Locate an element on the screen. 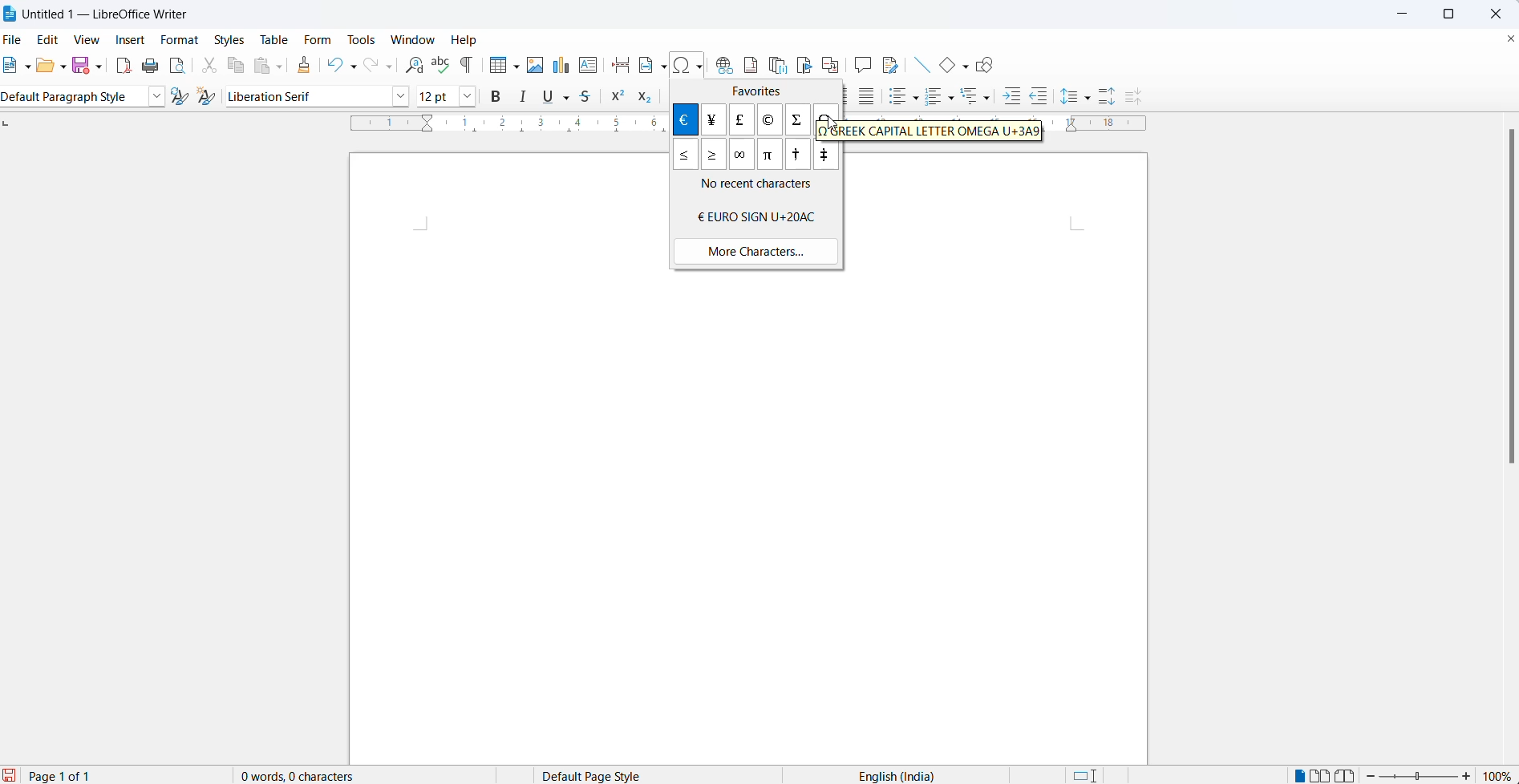 Image resolution: width=1519 pixels, height=784 pixels. basic shapes is located at coordinates (946, 66).